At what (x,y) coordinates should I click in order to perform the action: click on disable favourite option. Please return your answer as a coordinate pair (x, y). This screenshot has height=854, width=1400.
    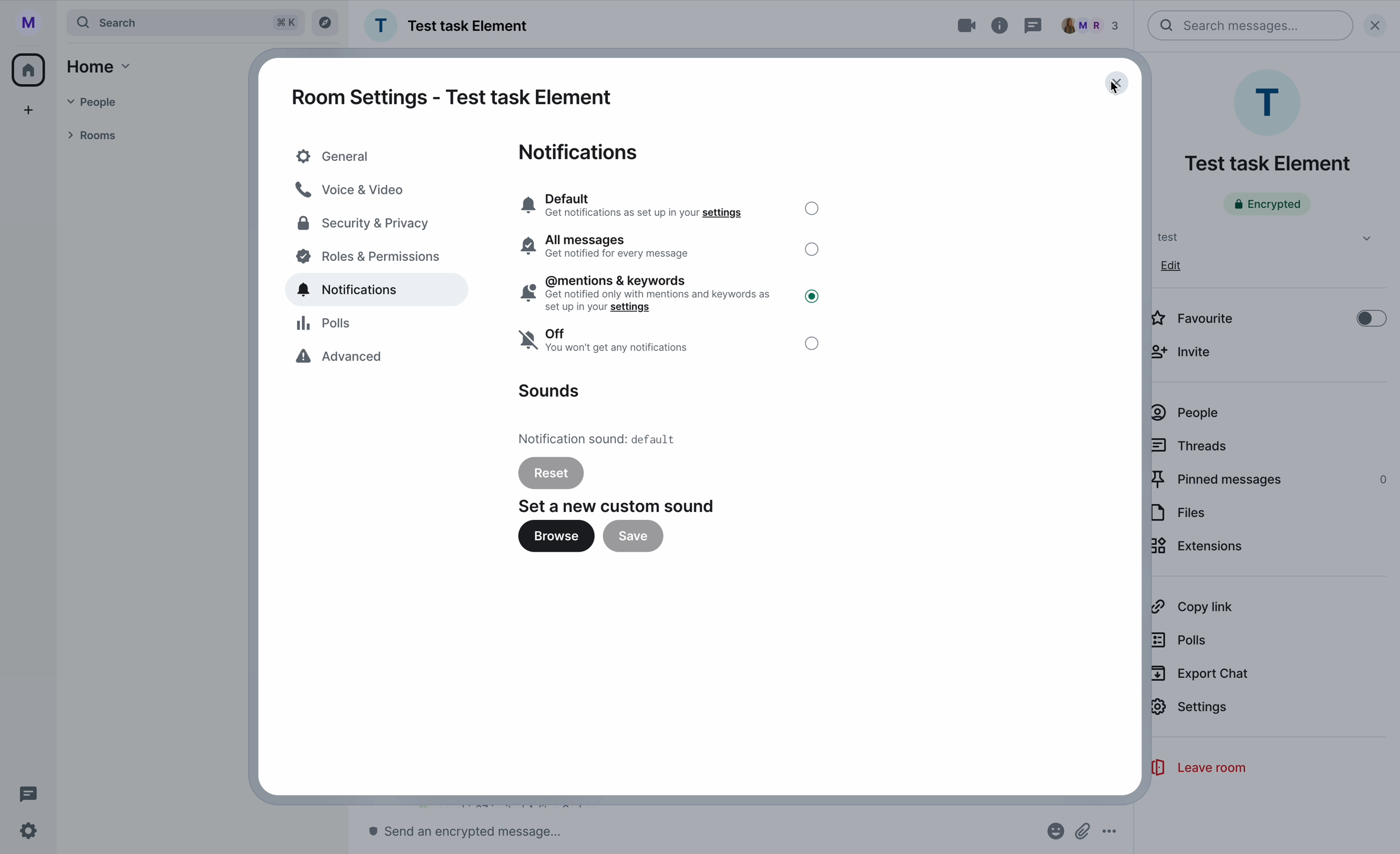
    Looking at the image, I should click on (1268, 316).